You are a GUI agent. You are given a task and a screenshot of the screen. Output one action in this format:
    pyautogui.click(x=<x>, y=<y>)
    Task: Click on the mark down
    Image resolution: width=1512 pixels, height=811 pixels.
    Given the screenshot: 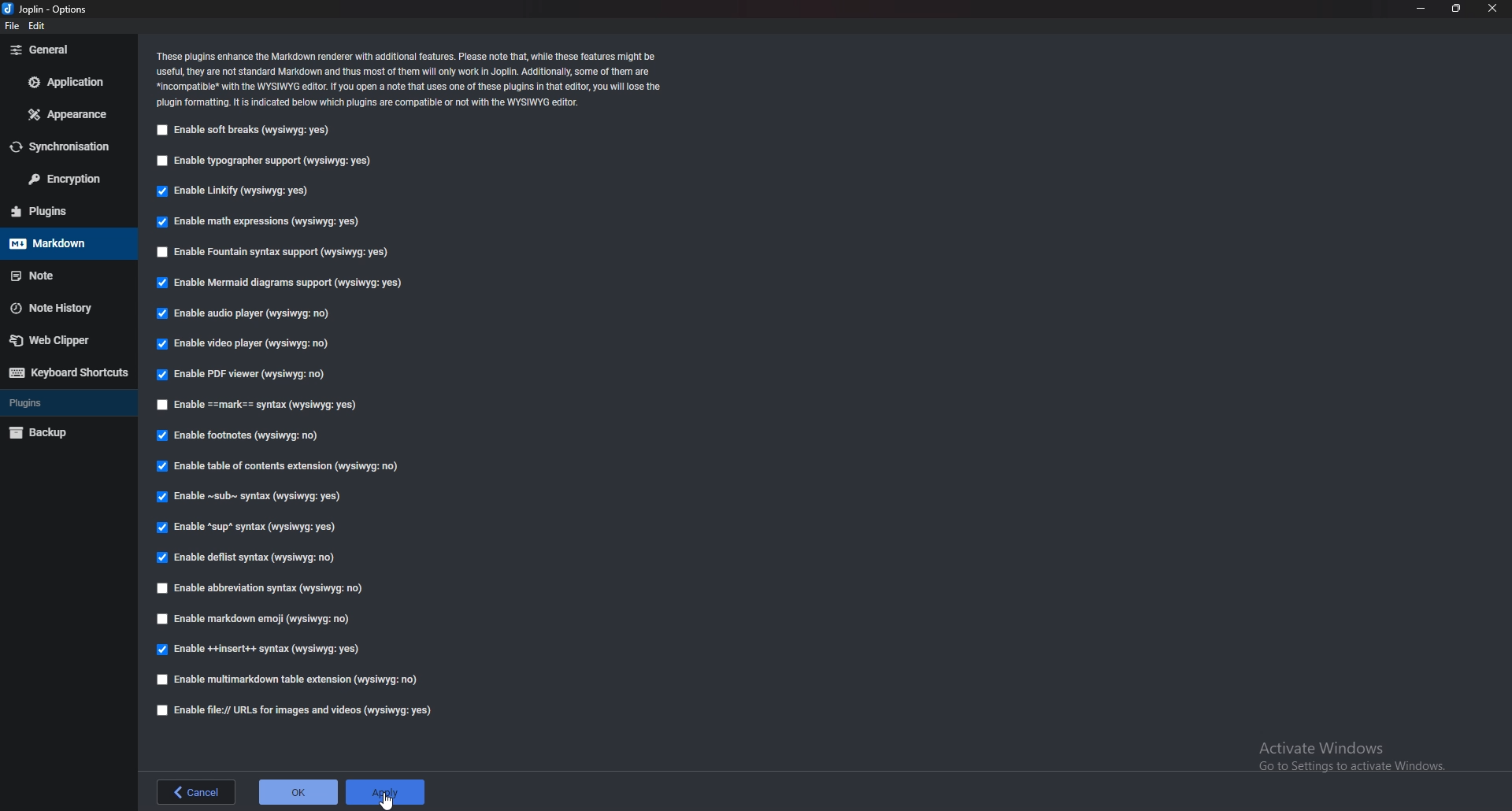 What is the action you would take?
    pyautogui.click(x=65, y=243)
    